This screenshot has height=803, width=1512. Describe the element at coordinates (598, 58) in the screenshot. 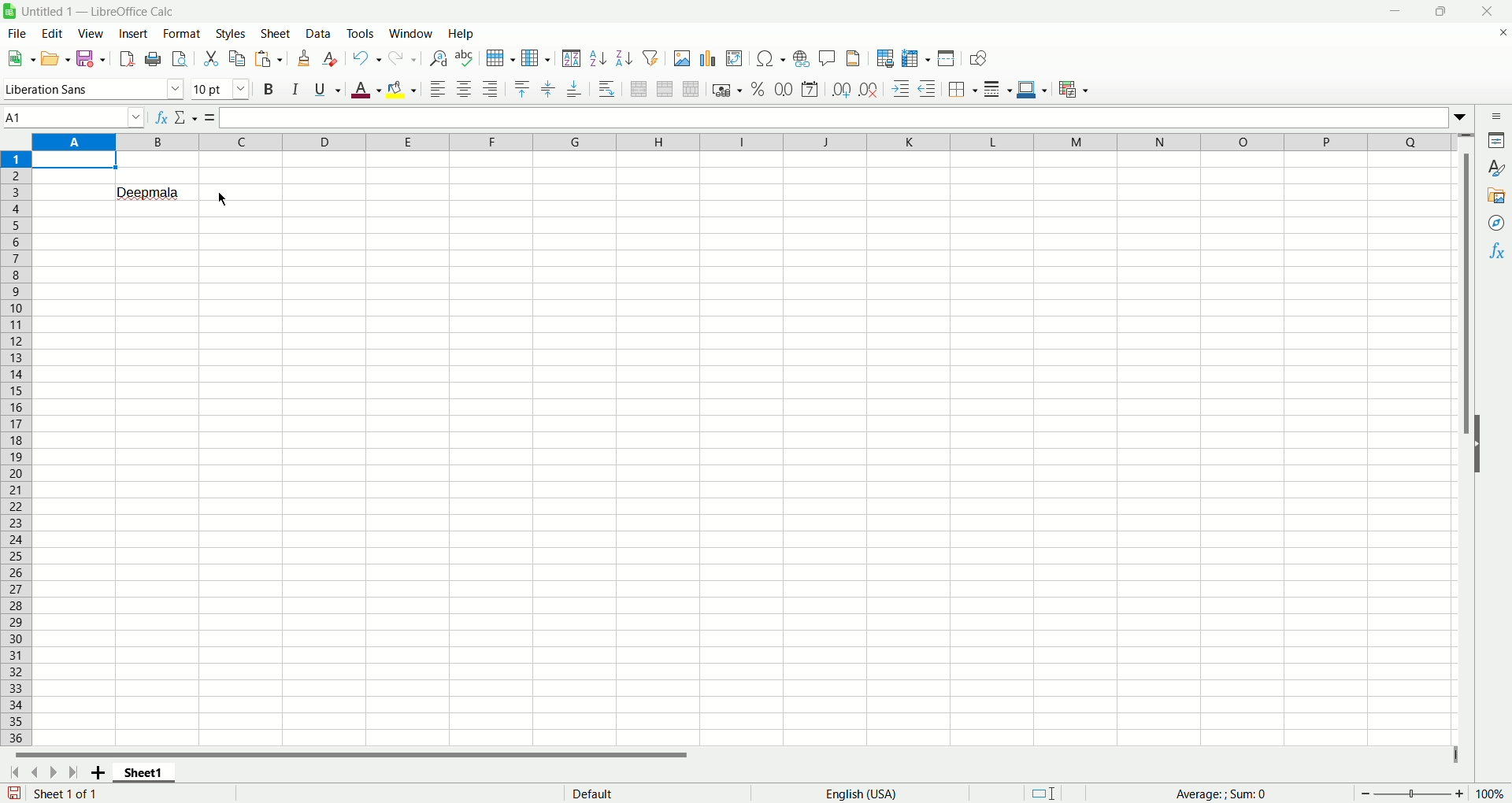

I see `Sort ascending` at that location.